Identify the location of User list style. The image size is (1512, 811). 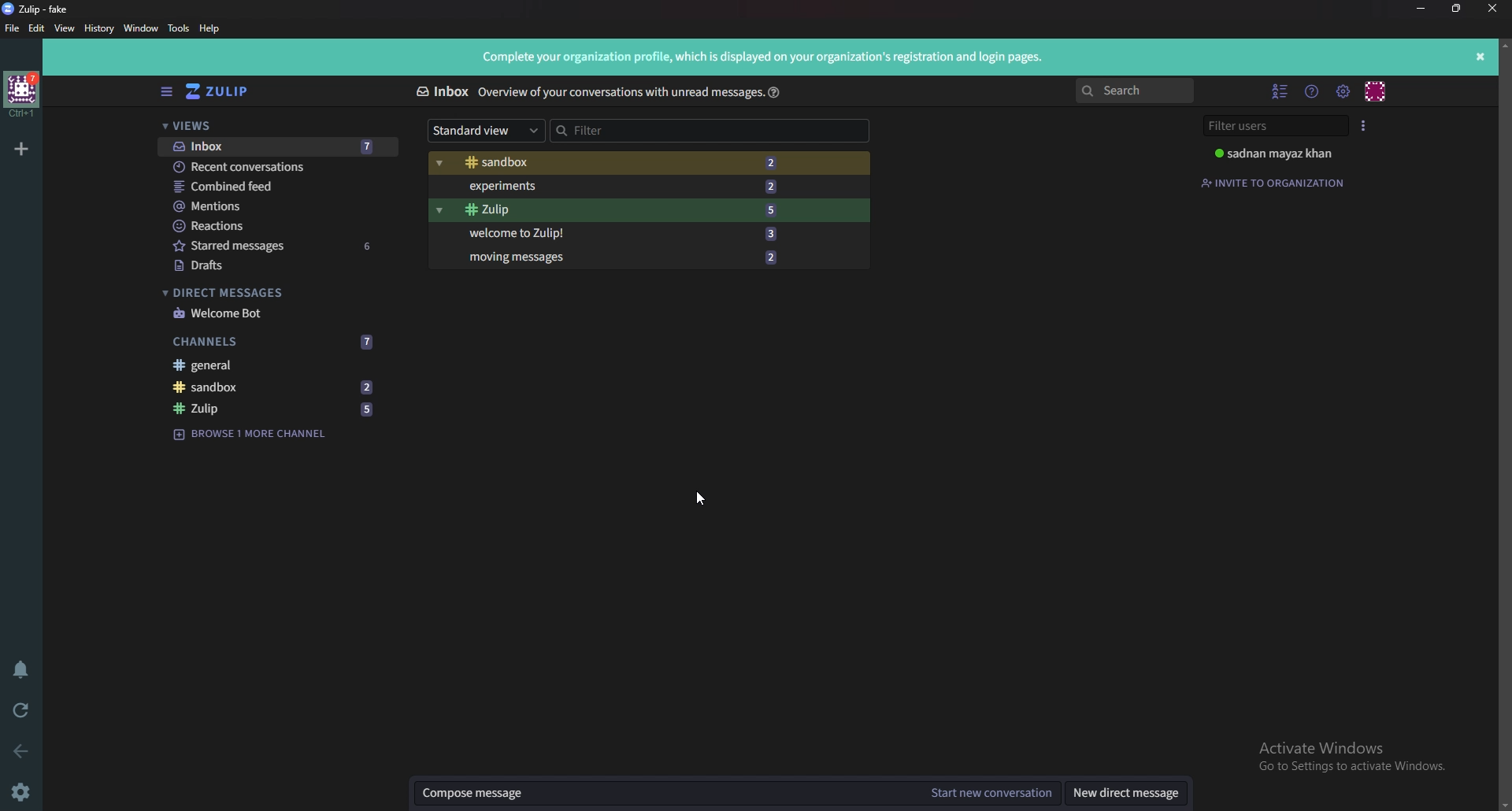
(1364, 125).